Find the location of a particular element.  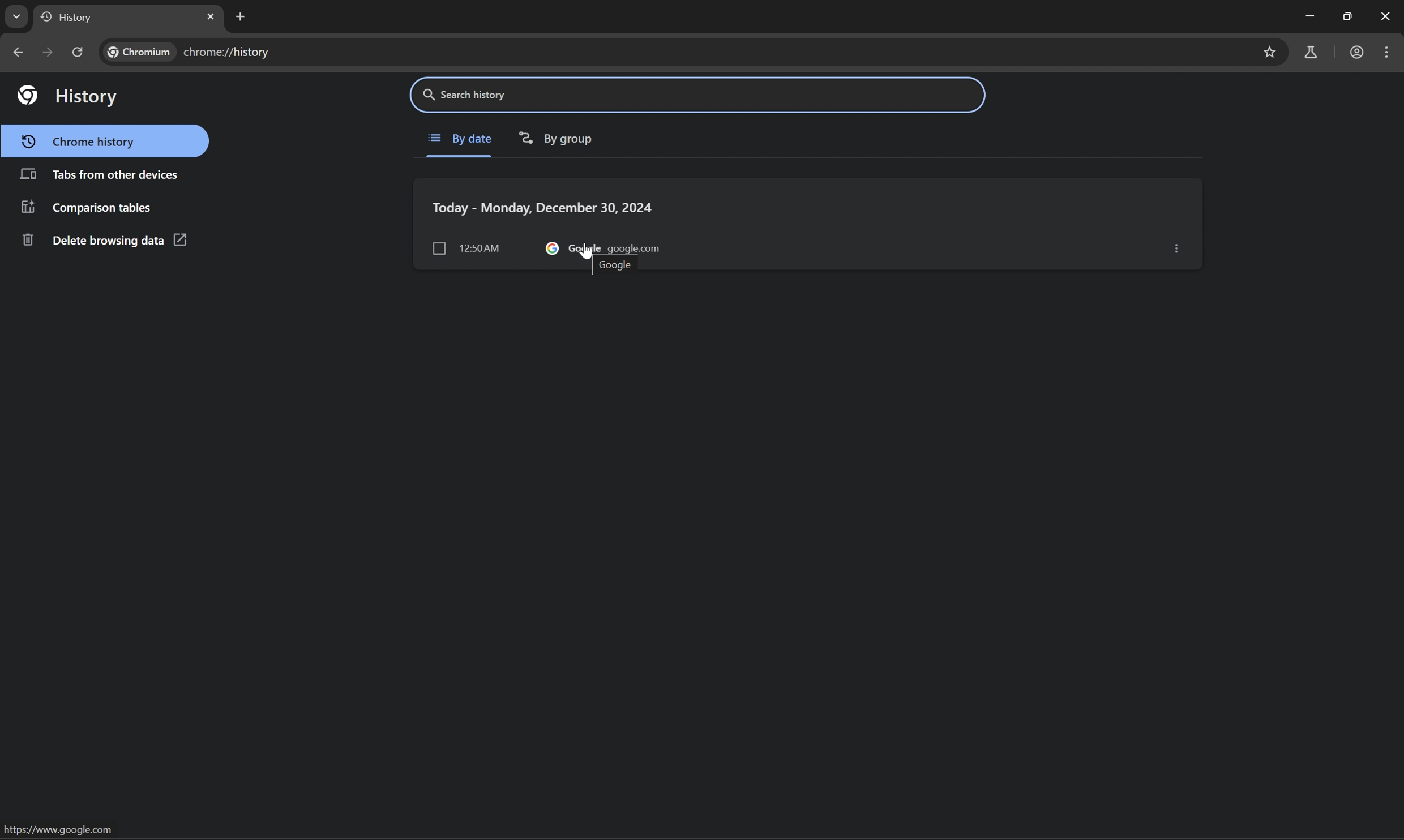

cursor is located at coordinates (585, 252).